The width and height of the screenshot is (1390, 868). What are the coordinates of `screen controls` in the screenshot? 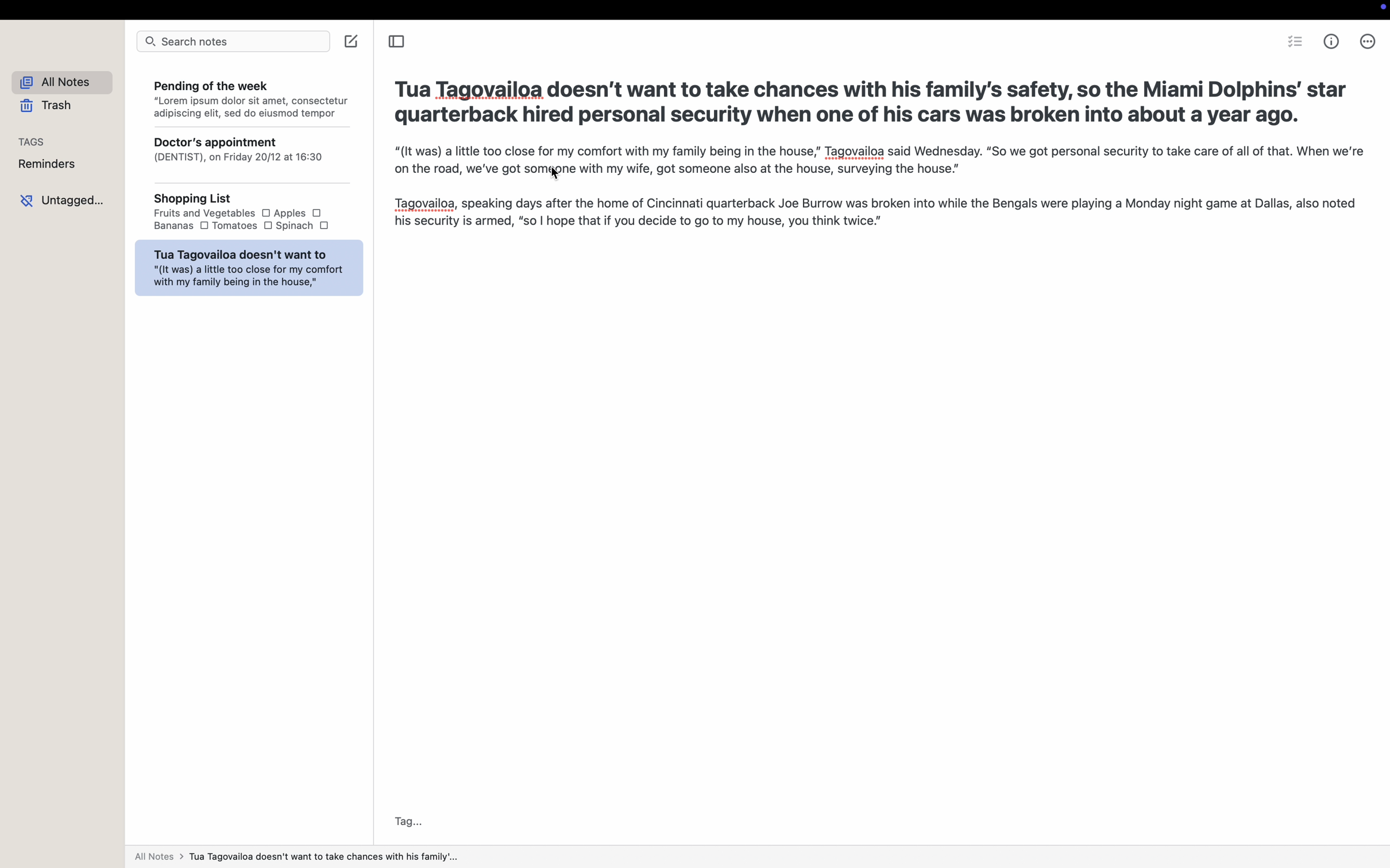 It's located at (1380, 9).